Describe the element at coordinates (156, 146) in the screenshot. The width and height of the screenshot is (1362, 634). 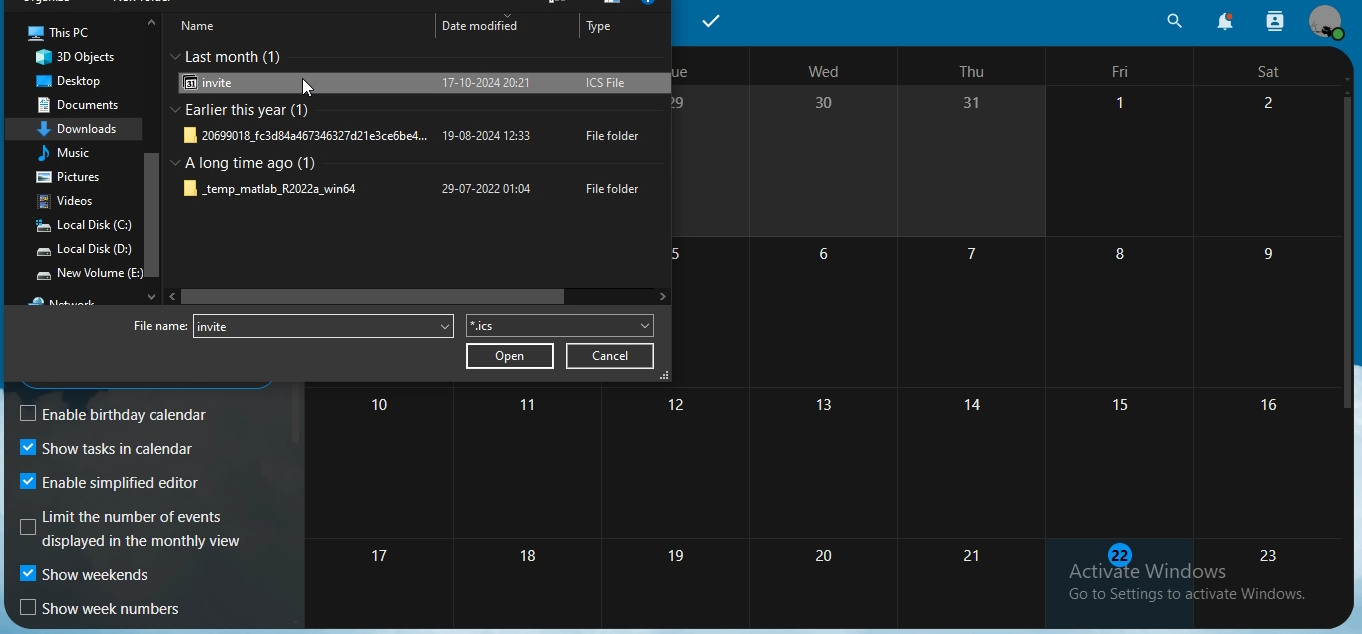
I see `scrollbar` at that location.